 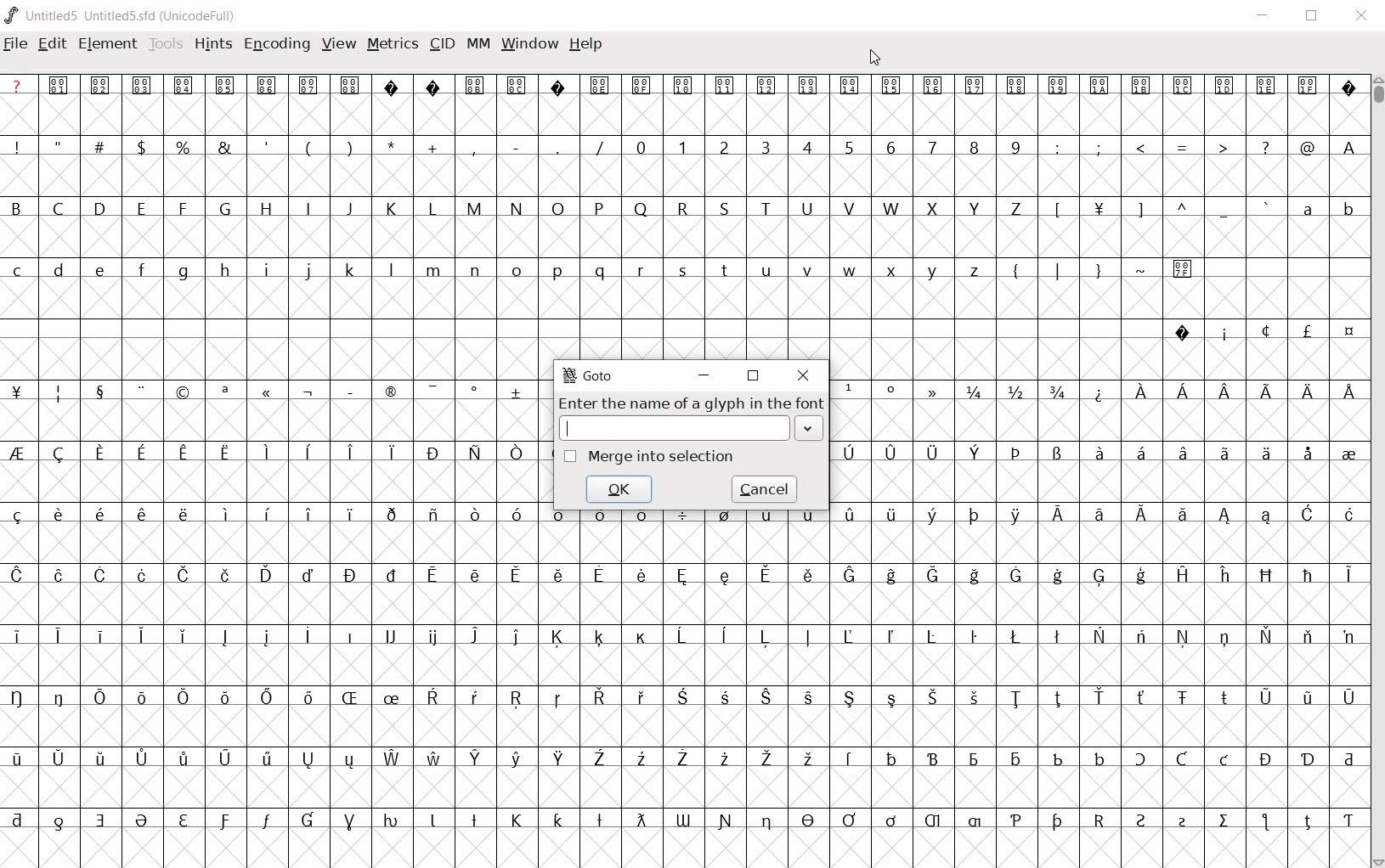 I want to click on Symbol, so click(x=850, y=514).